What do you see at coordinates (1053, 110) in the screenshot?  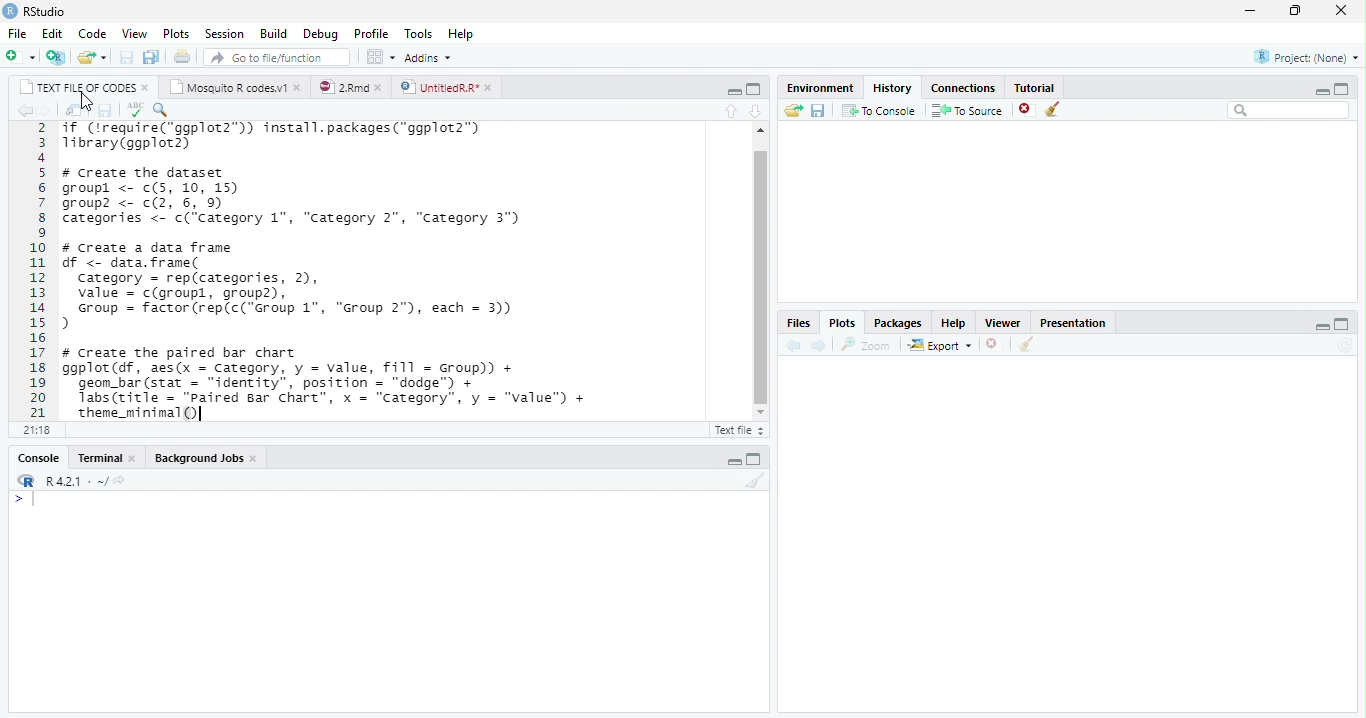 I see `clear all objects` at bounding box center [1053, 110].